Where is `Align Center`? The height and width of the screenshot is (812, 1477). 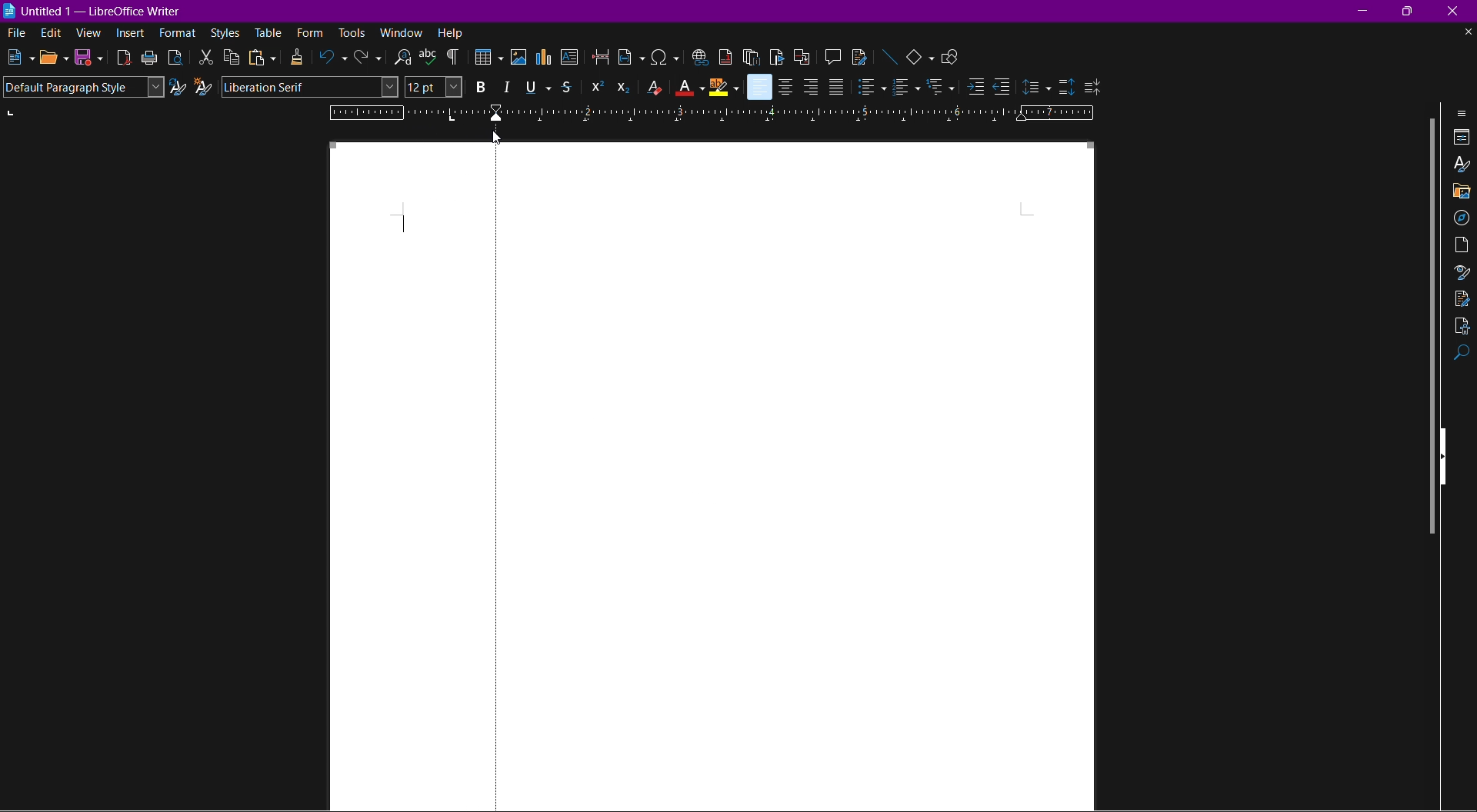
Align Center is located at coordinates (787, 86).